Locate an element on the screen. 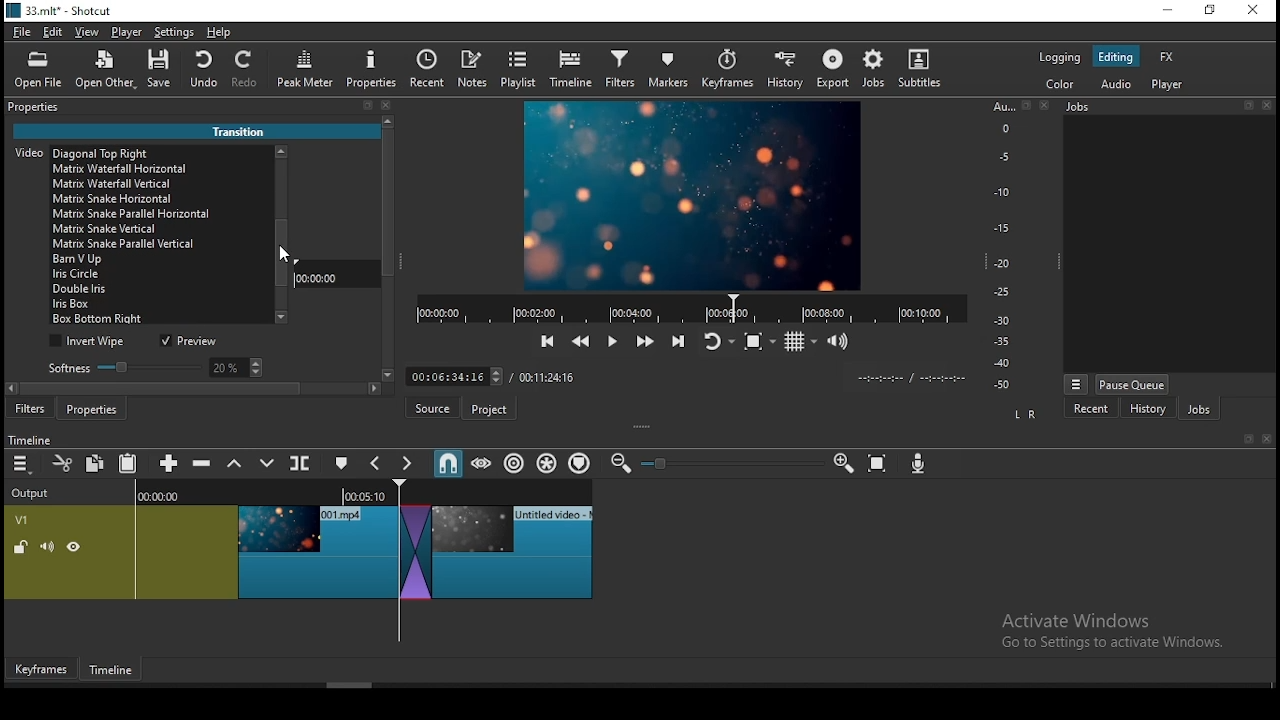 This screenshot has width=1280, height=720. transition option is located at coordinates (161, 274).